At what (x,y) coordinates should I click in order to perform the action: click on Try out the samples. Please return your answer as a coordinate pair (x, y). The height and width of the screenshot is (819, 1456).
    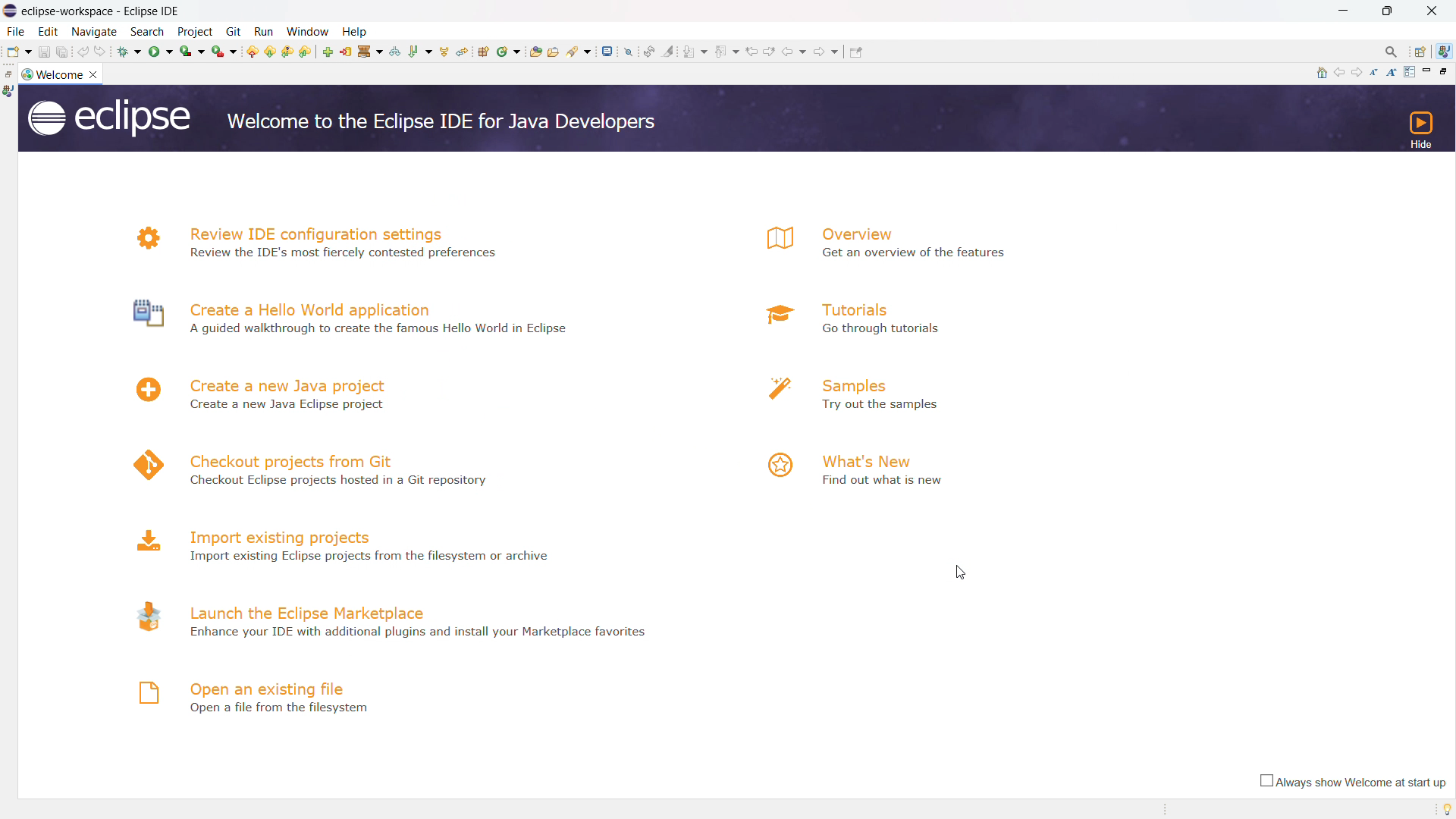
    Looking at the image, I should click on (900, 406).